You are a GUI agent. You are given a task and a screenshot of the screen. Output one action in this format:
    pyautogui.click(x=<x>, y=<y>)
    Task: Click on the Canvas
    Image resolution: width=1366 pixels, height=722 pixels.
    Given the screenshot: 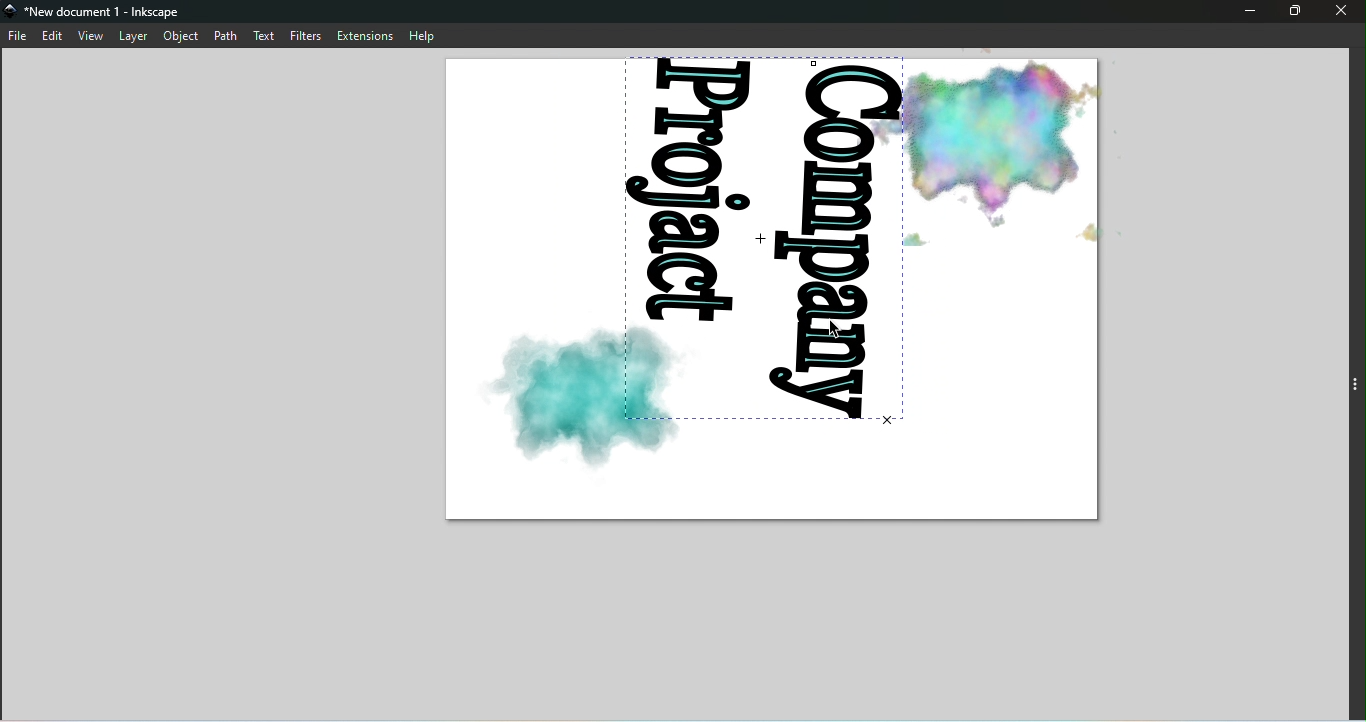 What is the action you would take?
    pyautogui.click(x=774, y=291)
    